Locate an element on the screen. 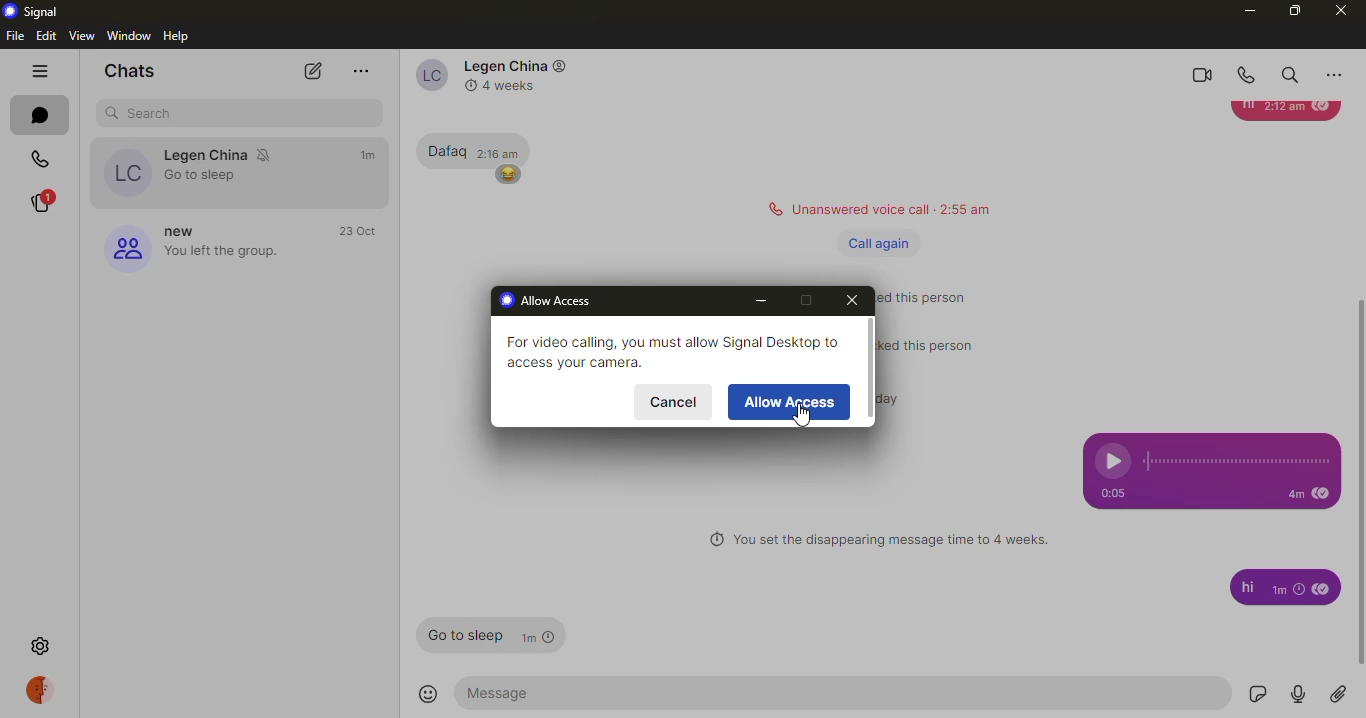  call again is located at coordinates (879, 243).